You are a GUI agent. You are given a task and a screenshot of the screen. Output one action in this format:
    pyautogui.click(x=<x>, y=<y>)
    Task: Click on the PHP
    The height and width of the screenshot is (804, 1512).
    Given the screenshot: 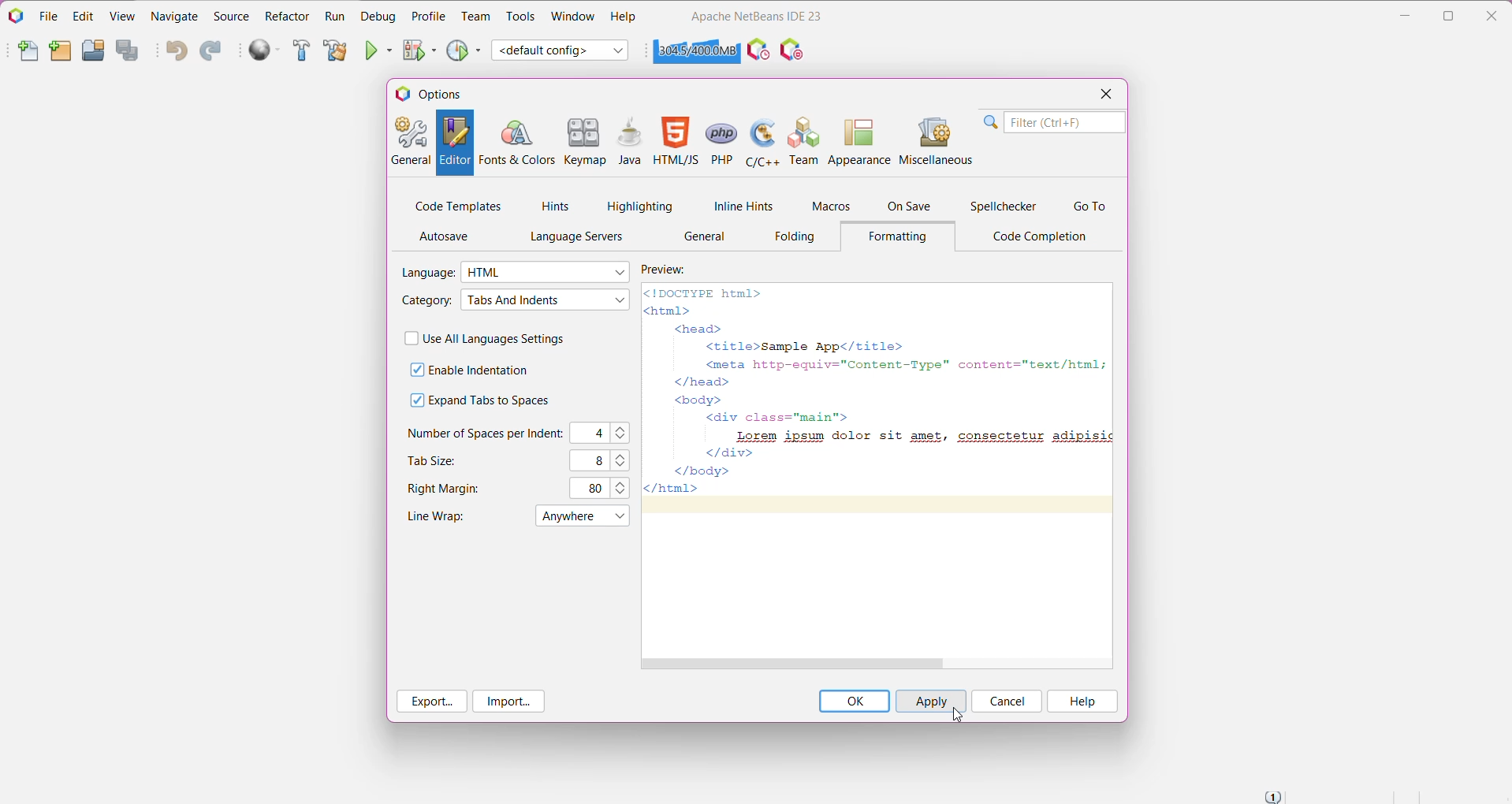 What is the action you would take?
    pyautogui.click(x=723, y=141)
    